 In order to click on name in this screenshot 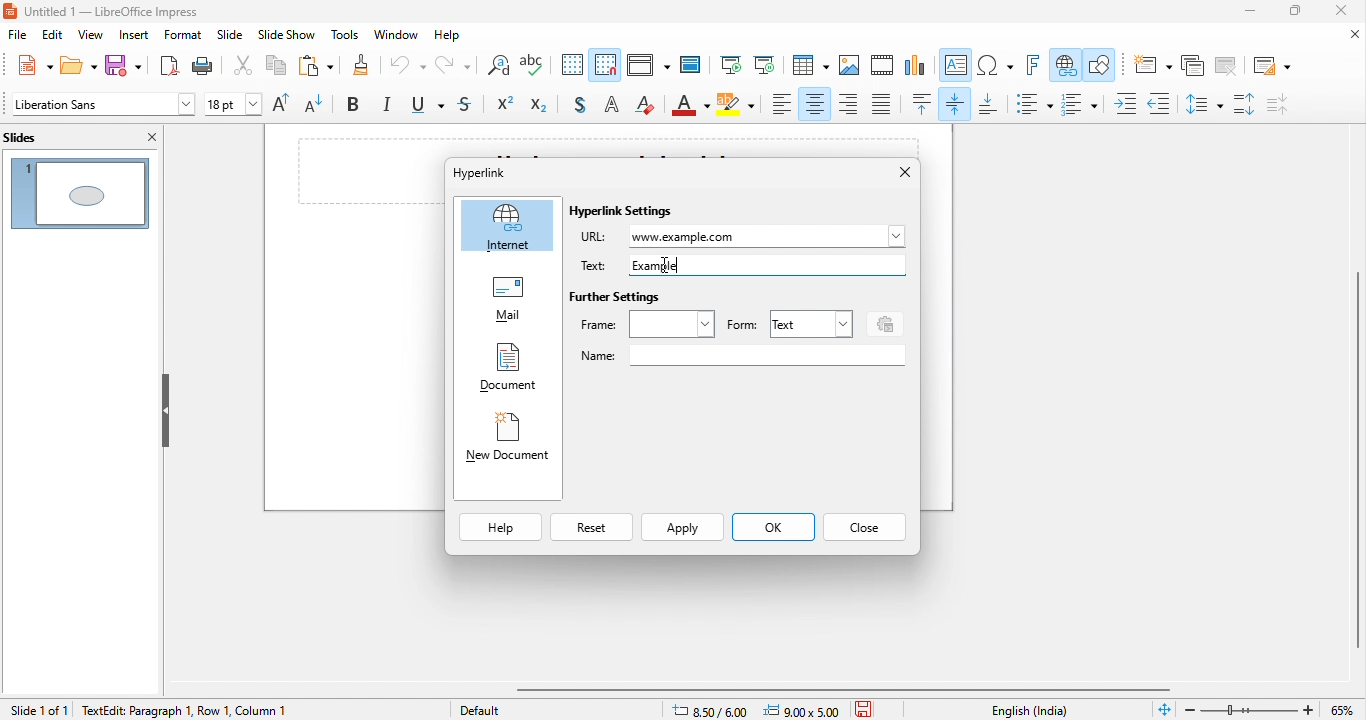, I will do `click(742, 356)`.